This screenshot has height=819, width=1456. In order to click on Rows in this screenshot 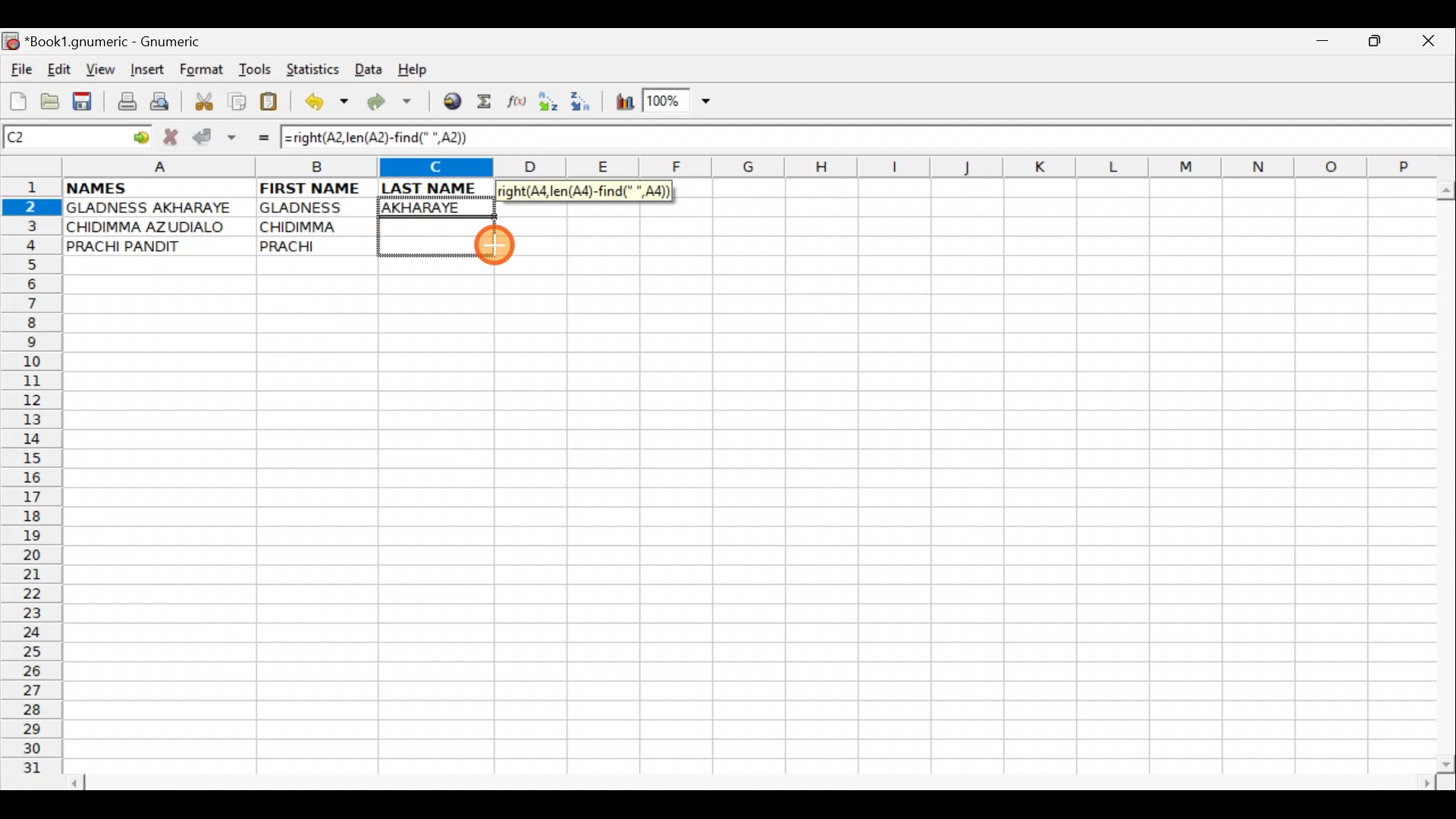, I will do `click(32, 482)`.